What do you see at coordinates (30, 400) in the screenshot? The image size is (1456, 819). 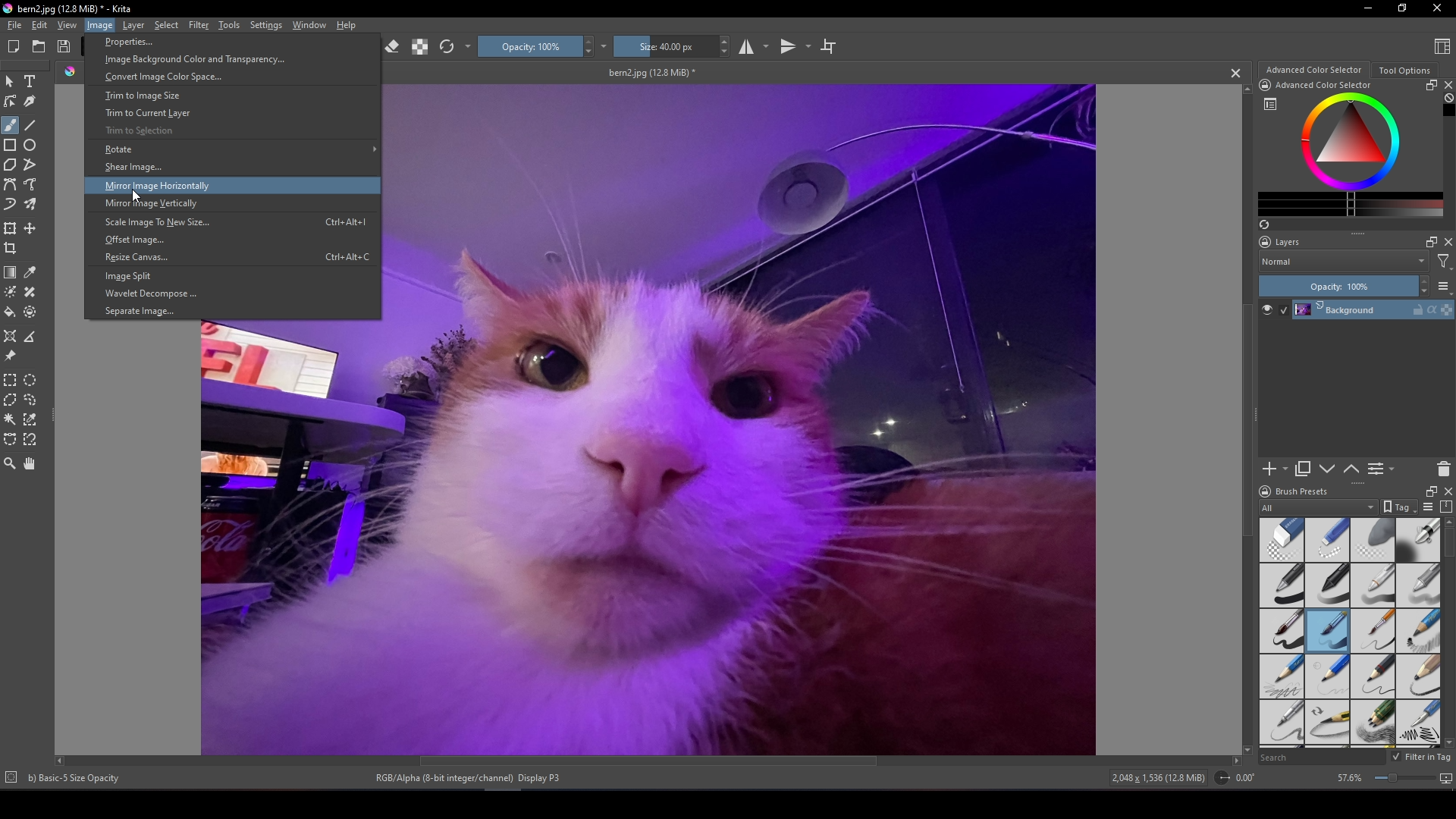 I see `Freehand selection tool` at bounding box center [30, 400].